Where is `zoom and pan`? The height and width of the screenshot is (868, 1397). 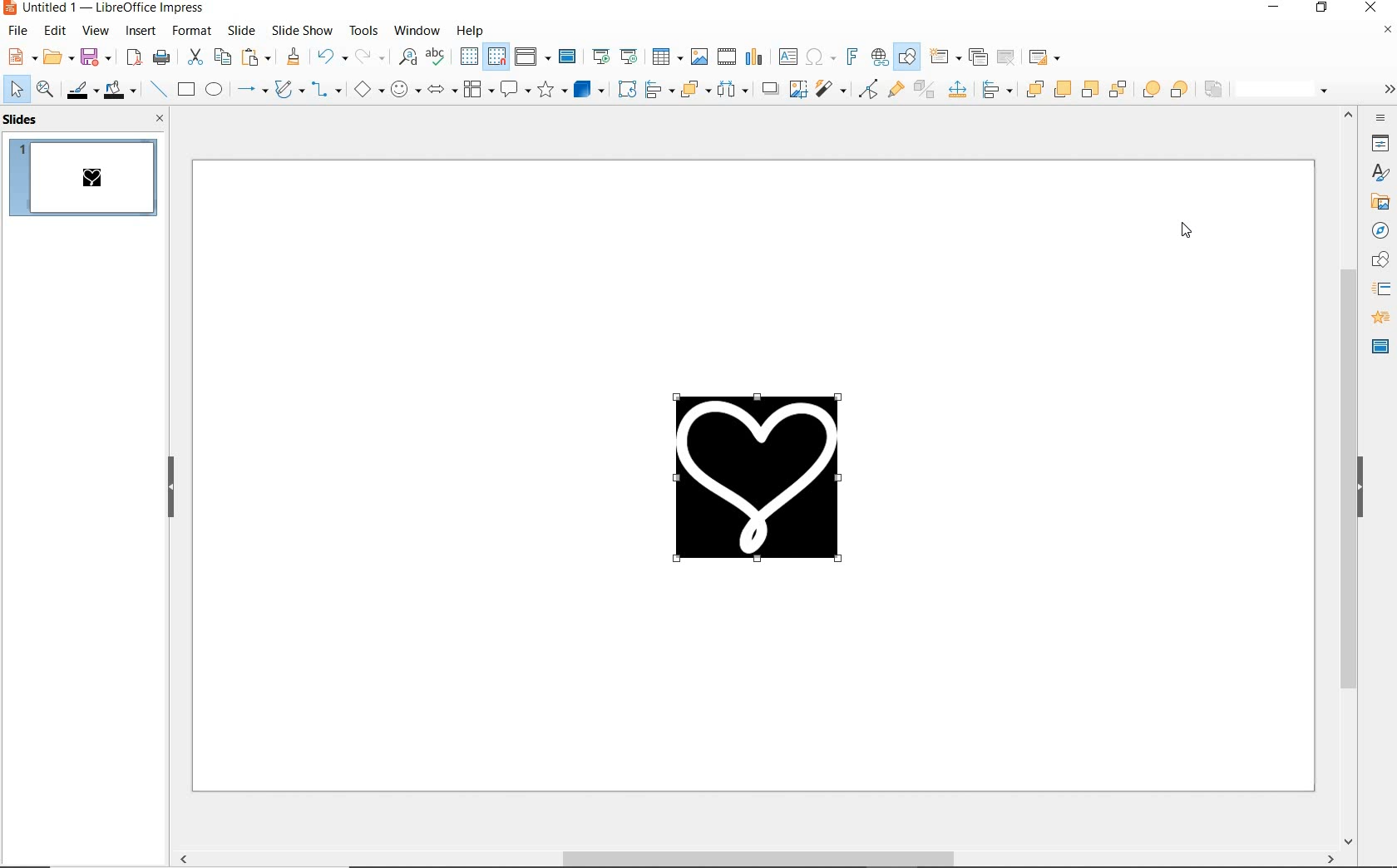 zoom and pan is located at coordinates (43, 89).